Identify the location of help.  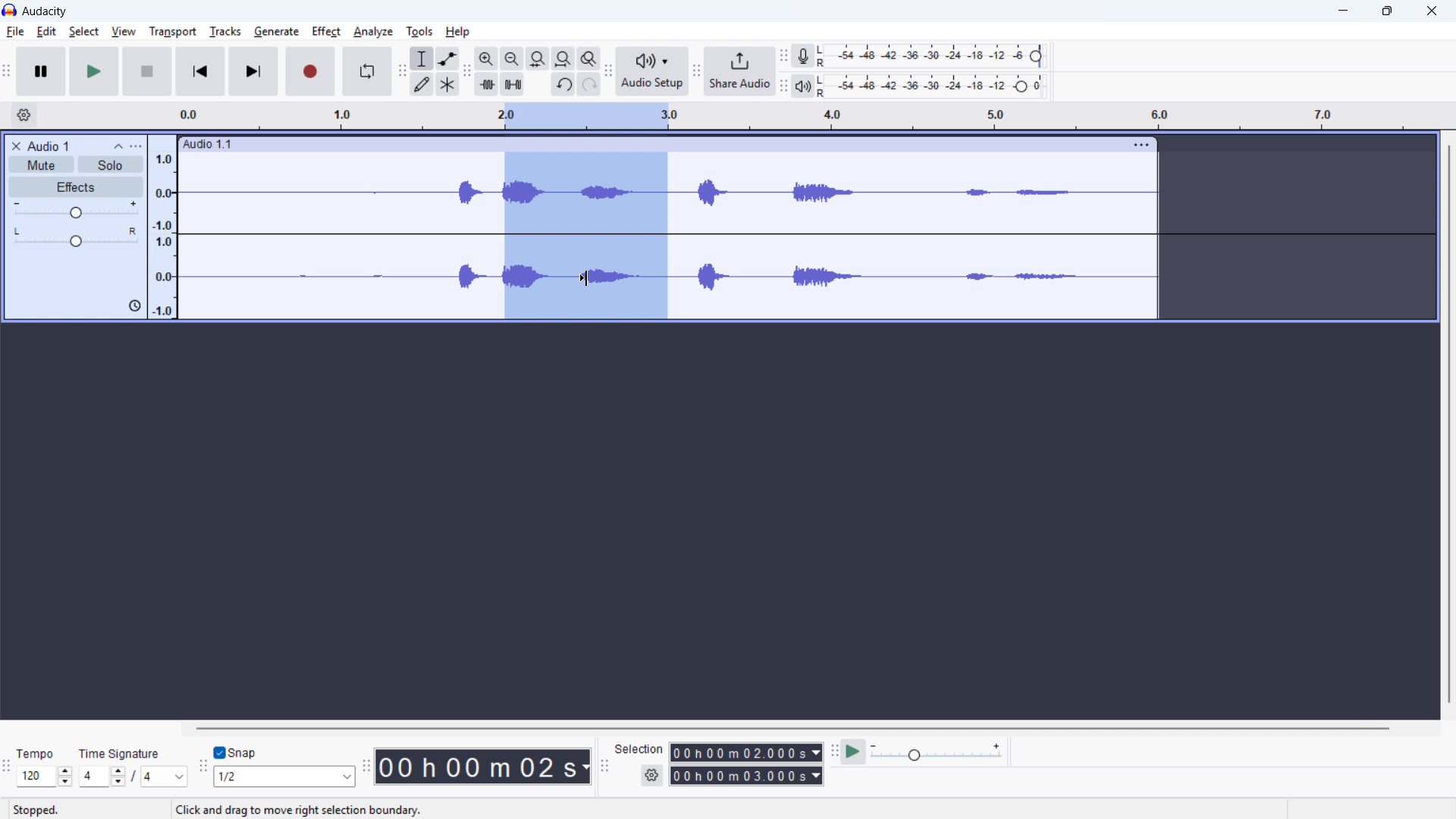
(457, 31).